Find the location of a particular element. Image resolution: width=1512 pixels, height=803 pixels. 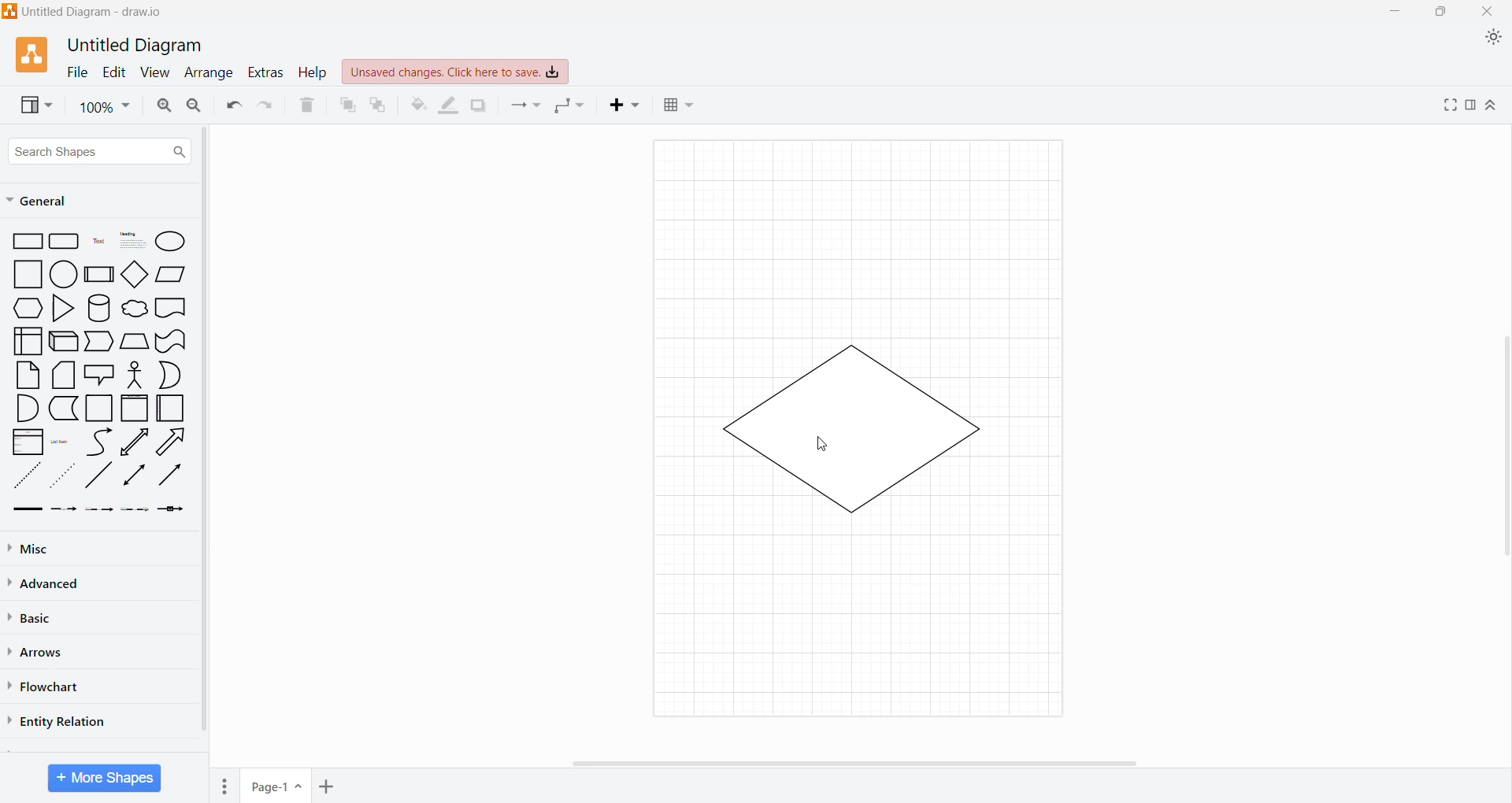

Callout is located at coordinates (98, 376).